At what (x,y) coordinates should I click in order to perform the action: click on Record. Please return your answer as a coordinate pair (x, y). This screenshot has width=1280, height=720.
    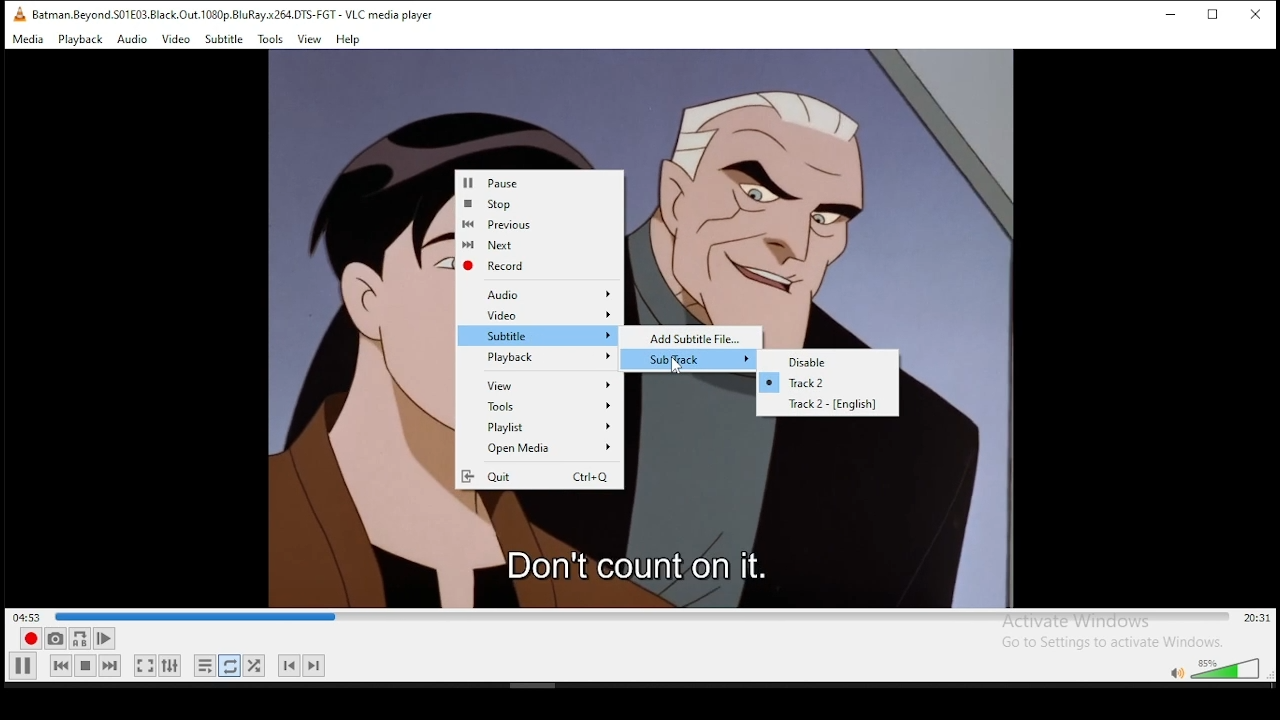
    Looking at the image, I should click on (535, 267).